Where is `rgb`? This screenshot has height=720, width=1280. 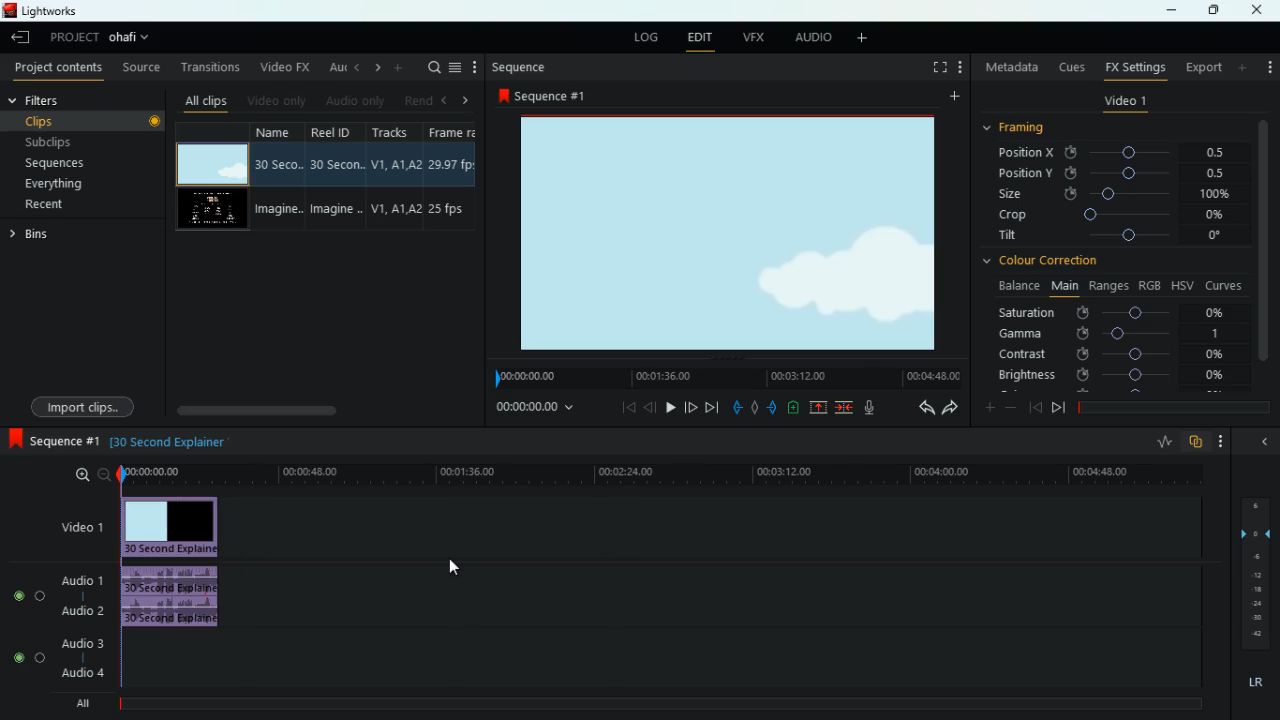
rgb is located at coordinates (1151, 284).